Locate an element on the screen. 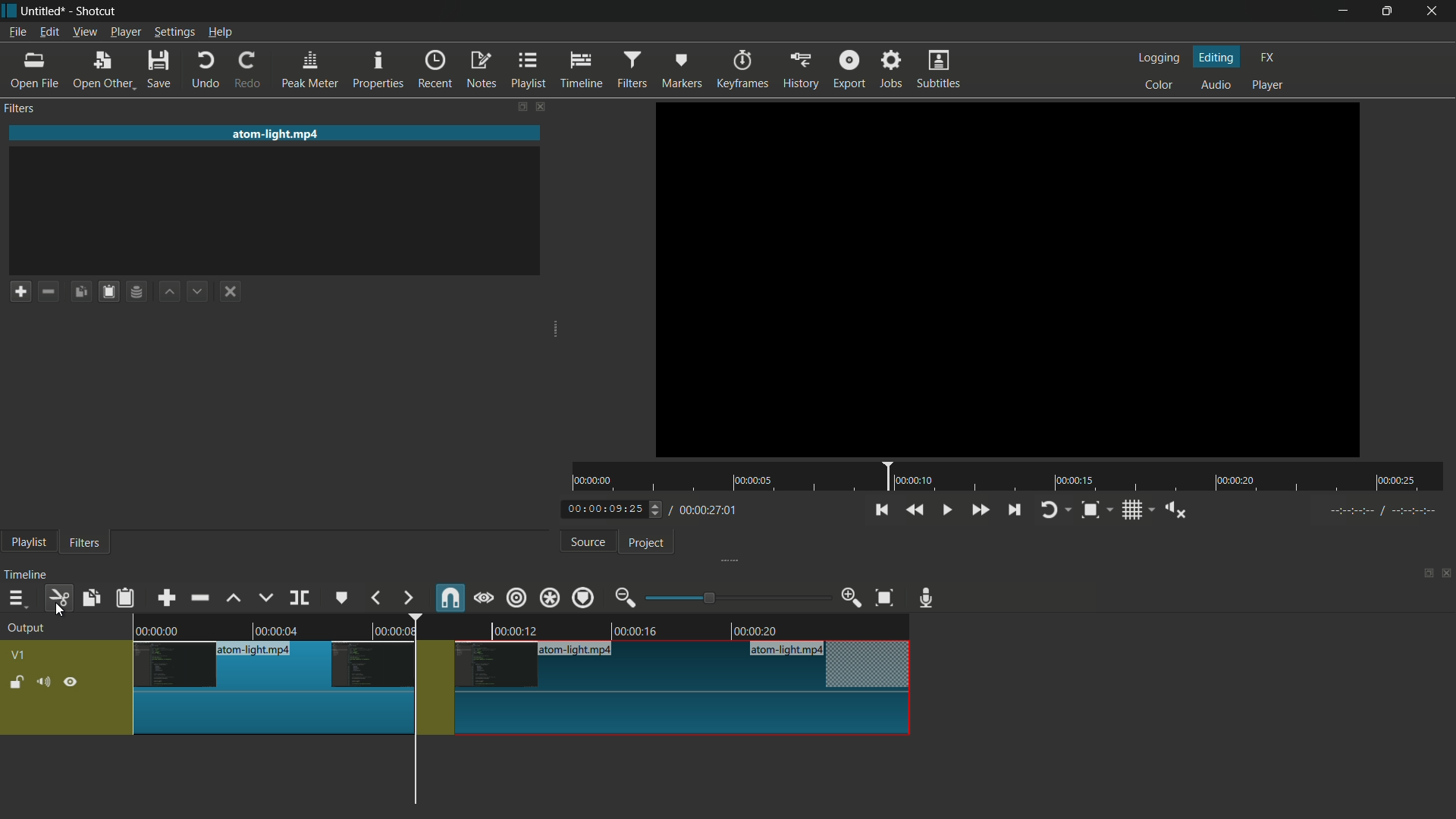 This screenshot has height=819, width=1456. change layout is located at coordinates (516, 106).